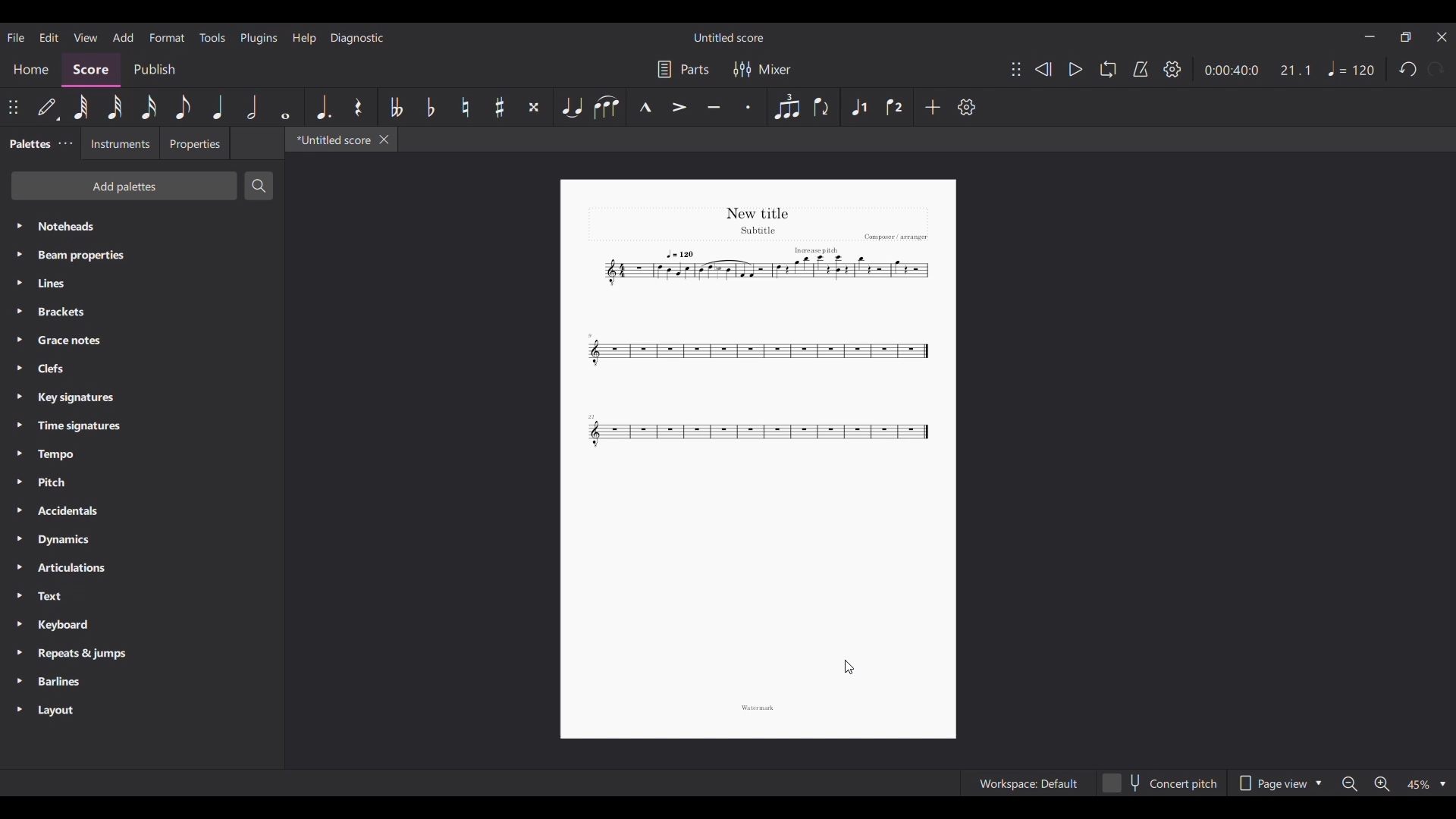 The image size is (1456, 819). Describe the element at coordinates (92, 70) in the screenshot. I see `Score, current section` at that location.